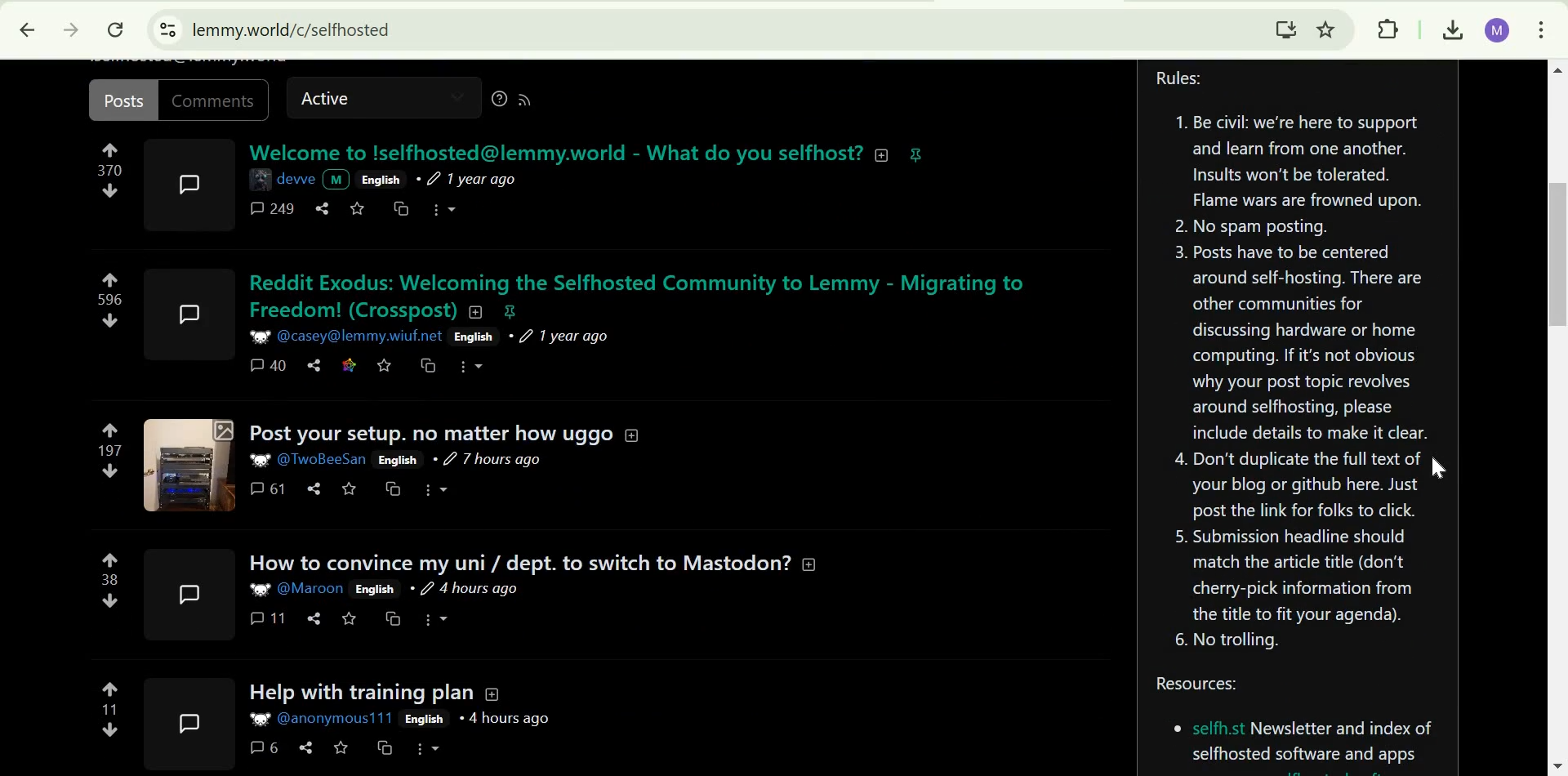  I want to click on 40 comments, so click(269, 366).